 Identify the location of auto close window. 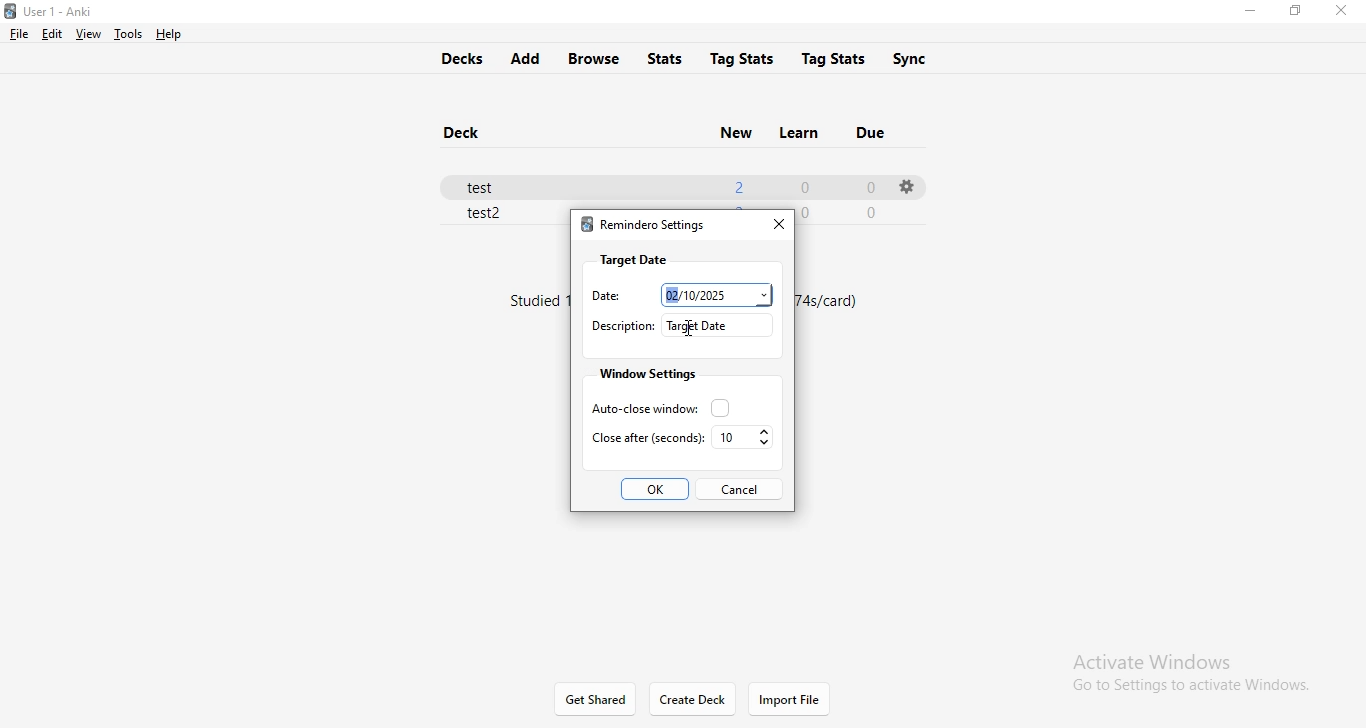
(655, 407).